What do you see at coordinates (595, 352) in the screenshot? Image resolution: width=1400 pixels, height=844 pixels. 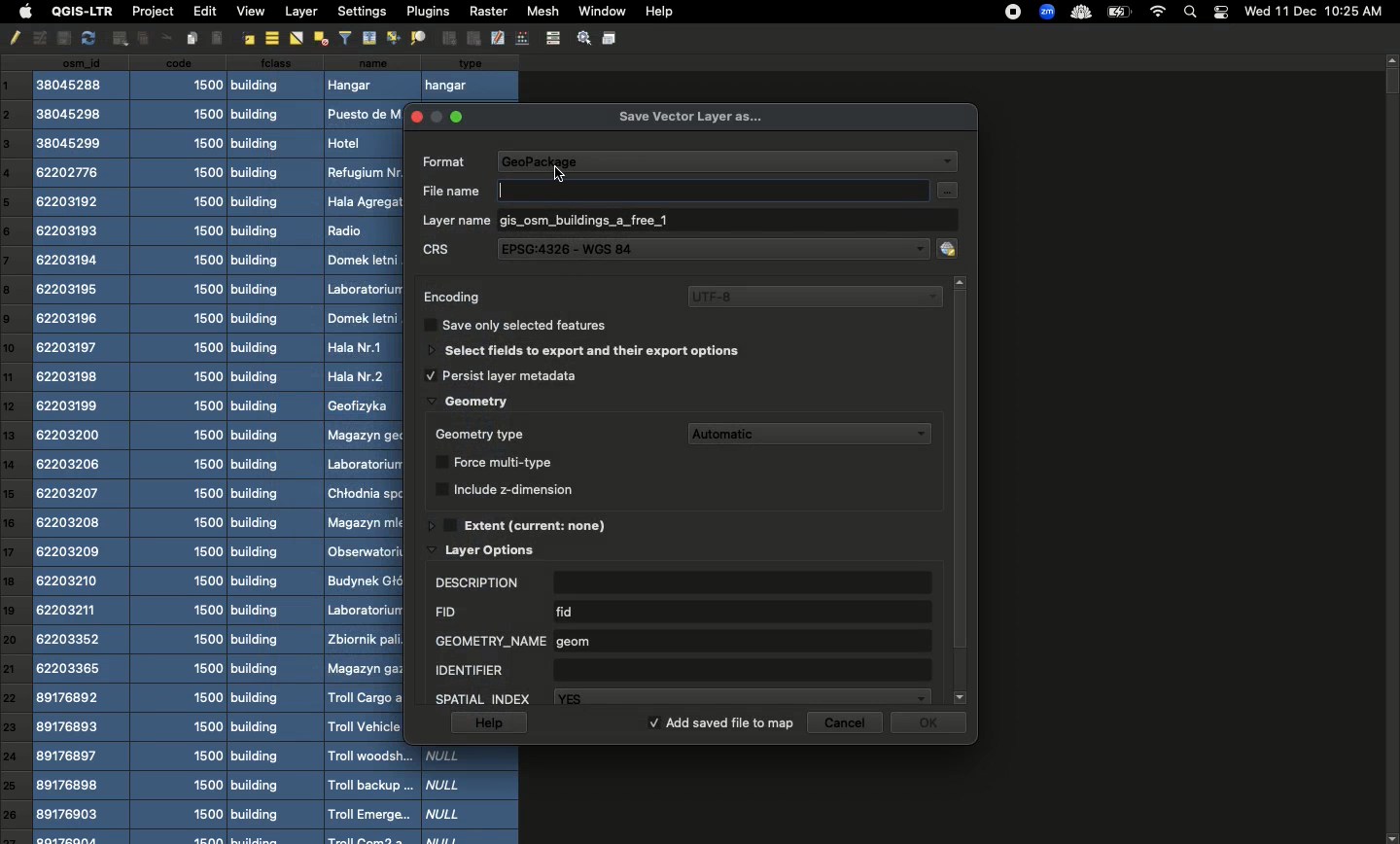 I see `Select fields to export and their export options` at bounding box center [595, 352].